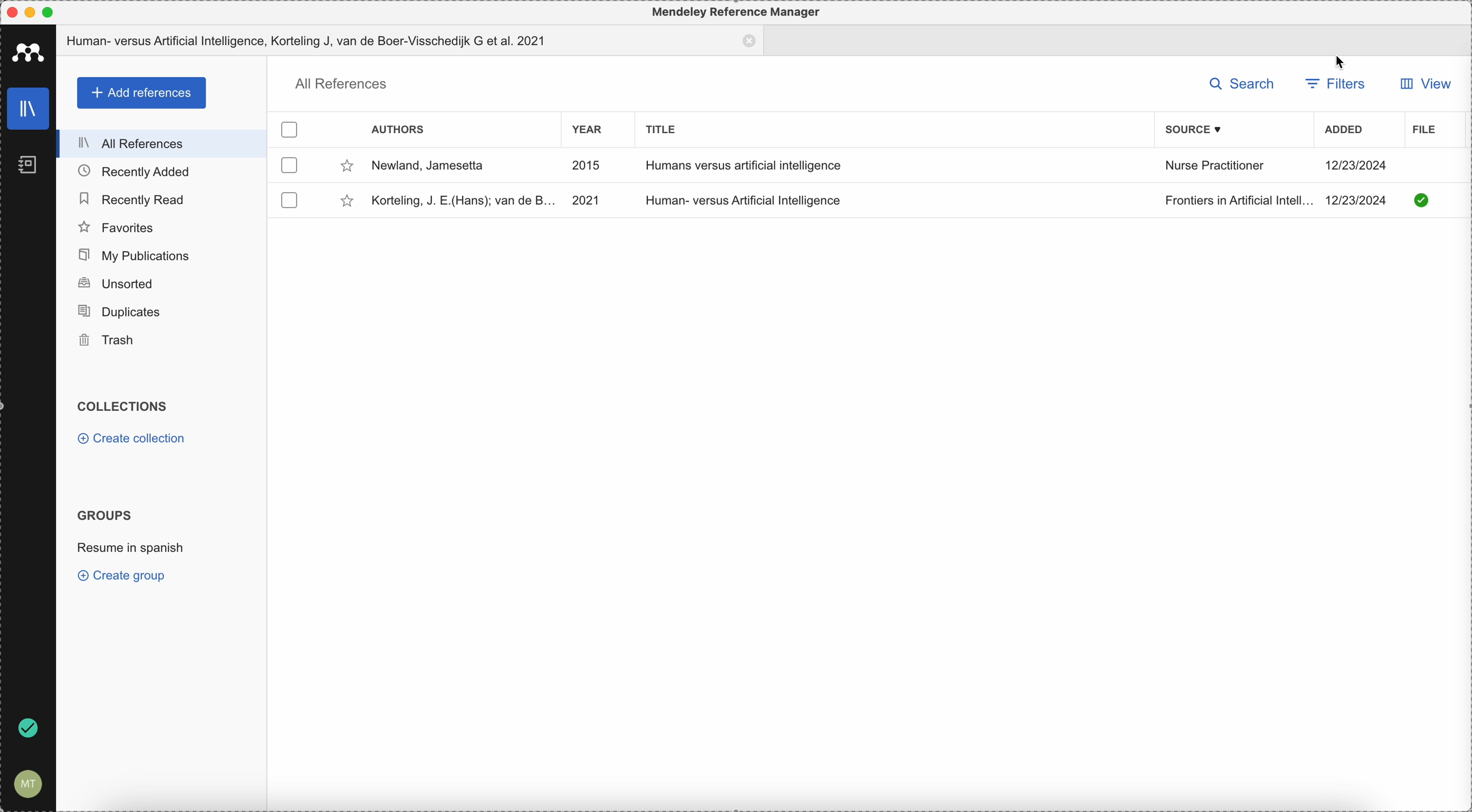 The image size is (1472, 812). Describe the element at coordinates (33, 726) in the screenshot. I see `sync done` at that location.